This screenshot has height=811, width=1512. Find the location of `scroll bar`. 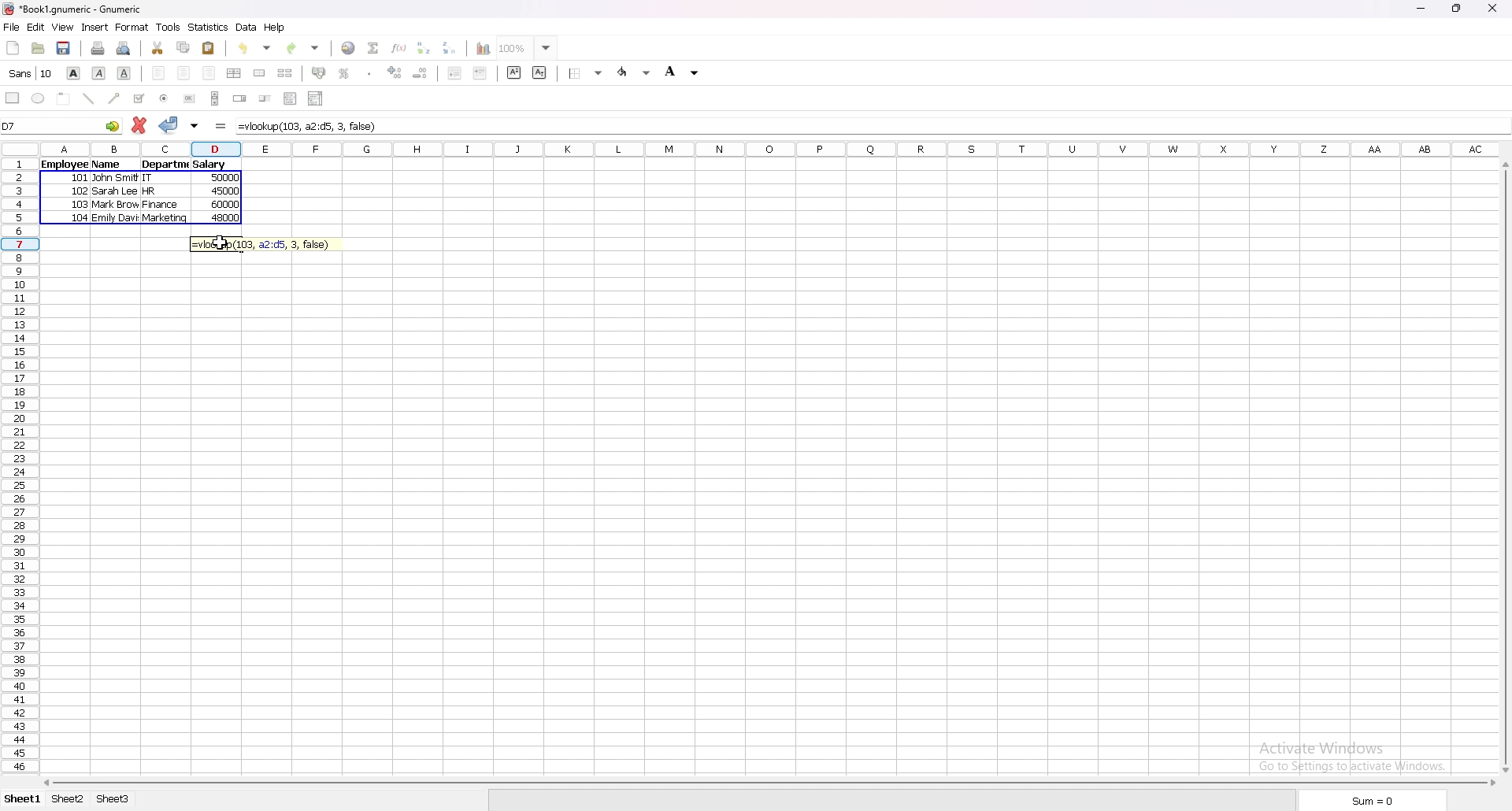

scroll bar is located at coordinates (215, 98).